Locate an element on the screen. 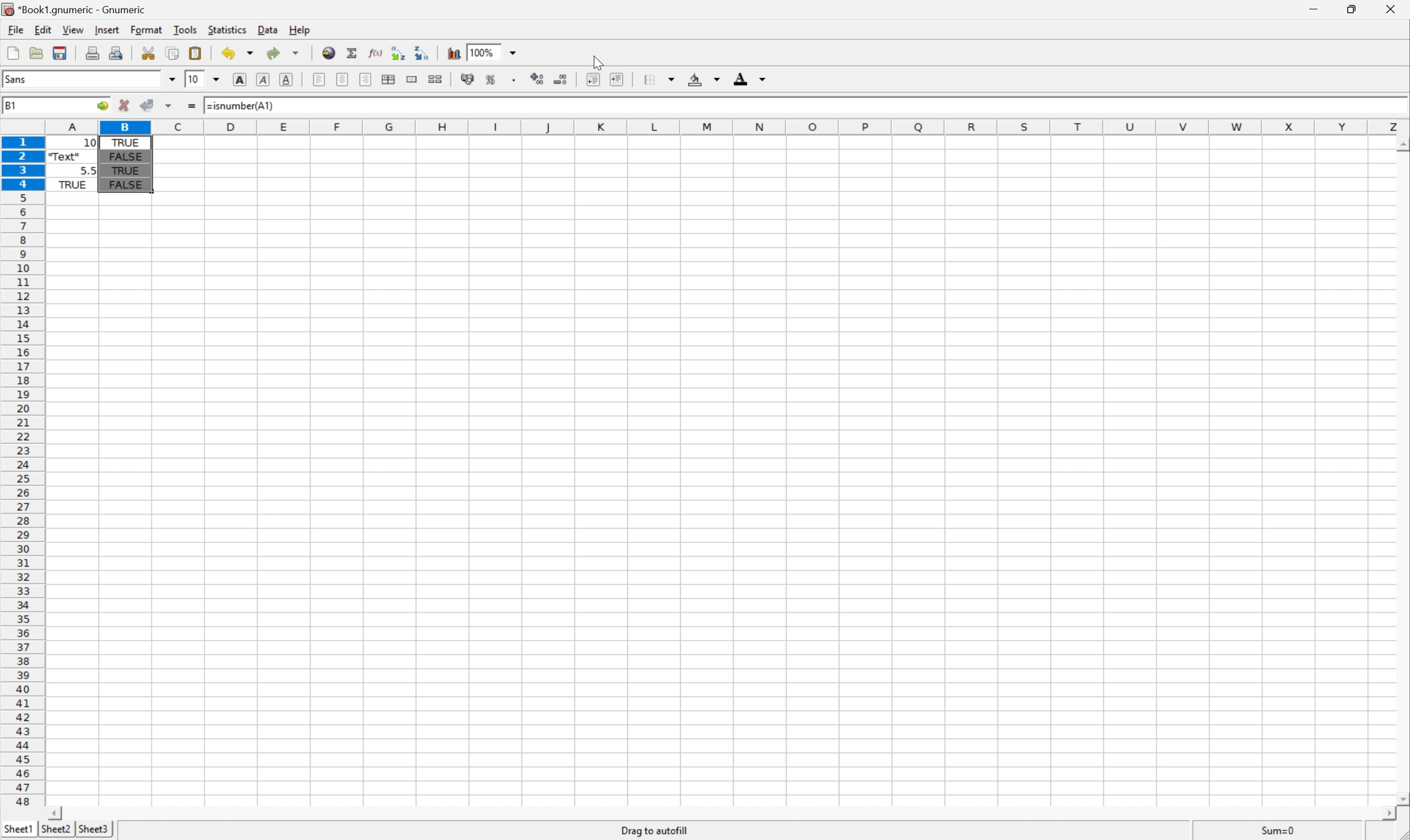  Edit is located at coordinates (42, 29).